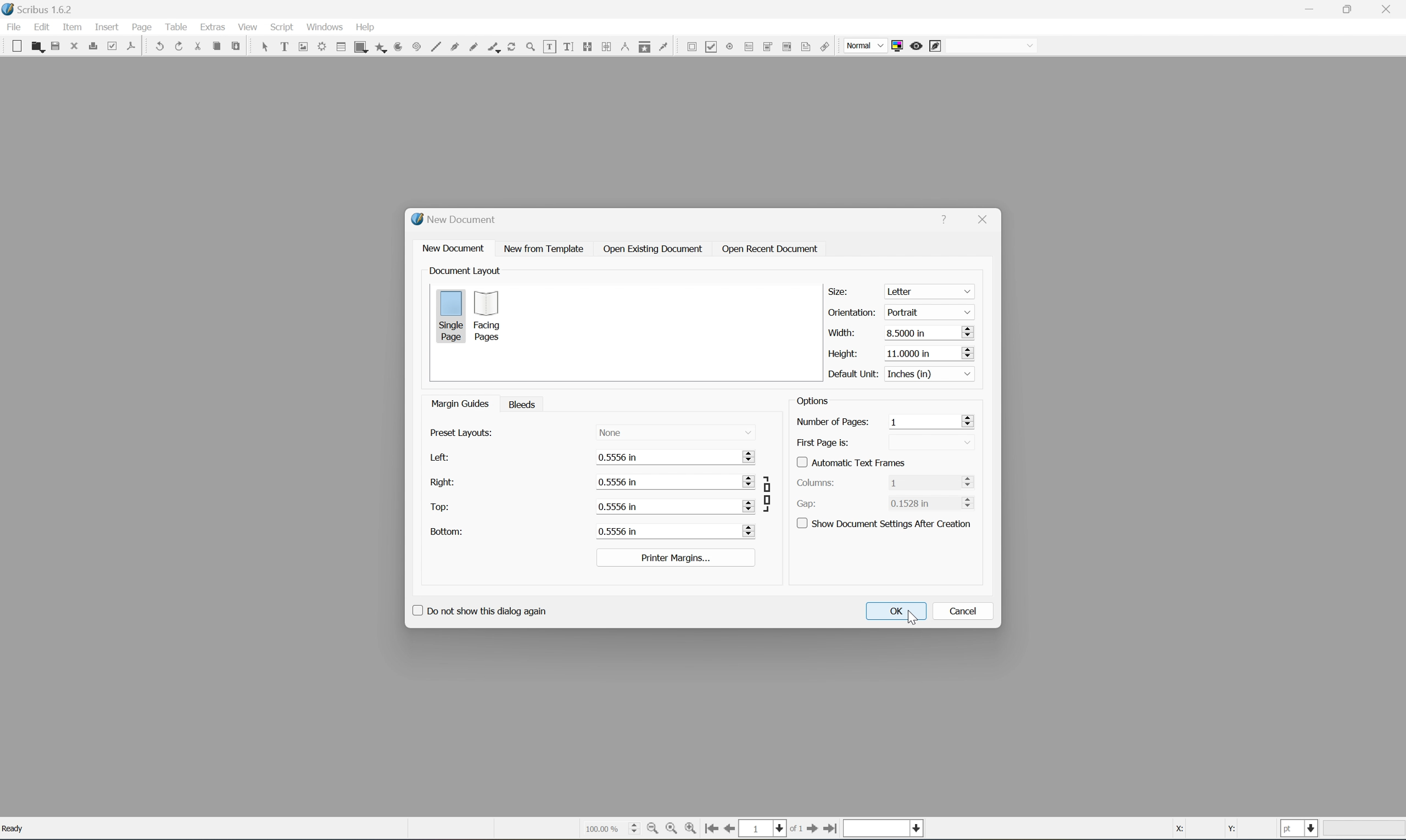 The width and height of the screenshot is (1406, 840). Describe the element at coordinates (484, 610) in the screenshot. I see `Do not show this dialog again` at that location.